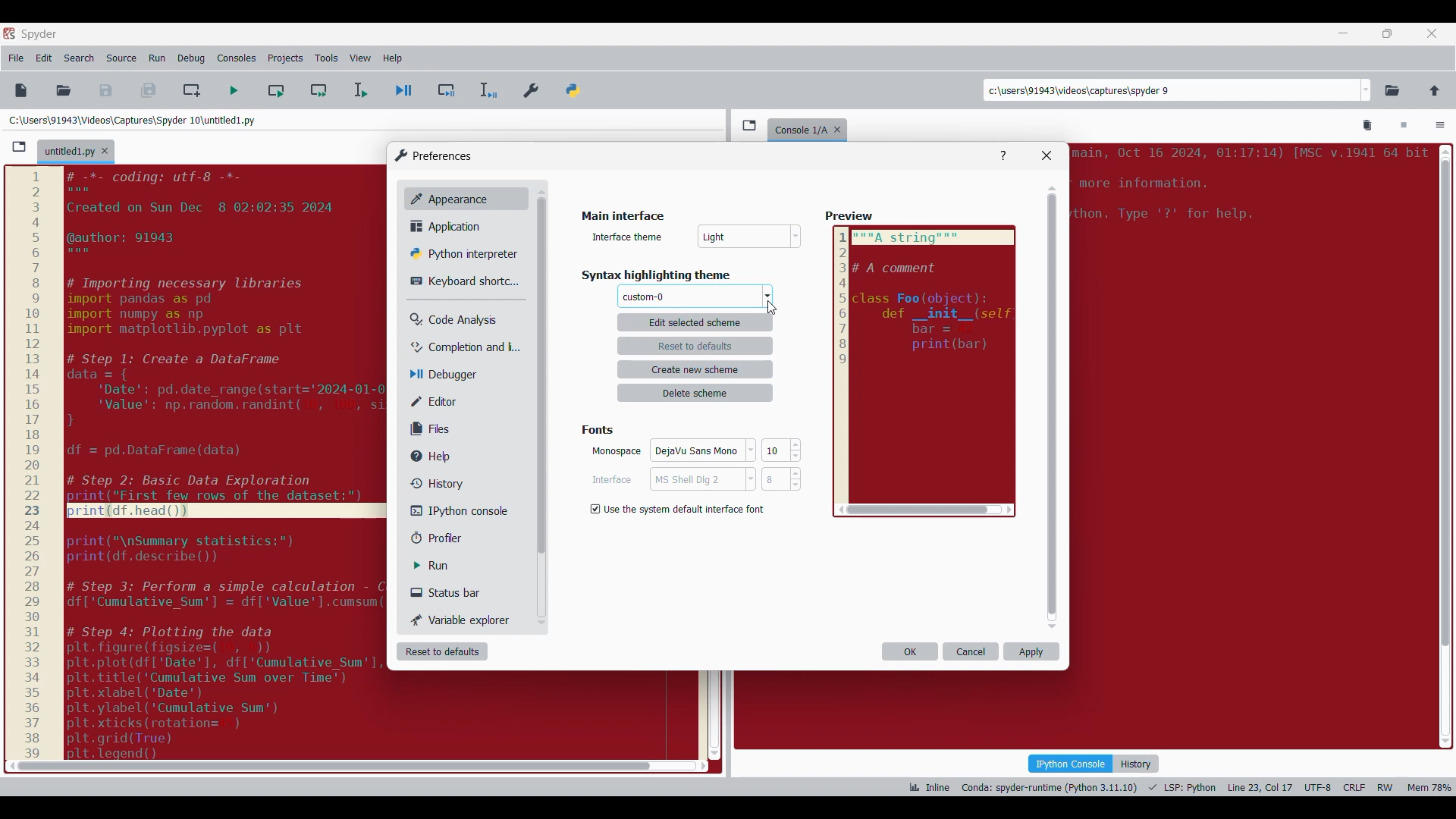  Describe the element at coordinates (697, 369) in the screenshot. I see `create new scheme` at that location.